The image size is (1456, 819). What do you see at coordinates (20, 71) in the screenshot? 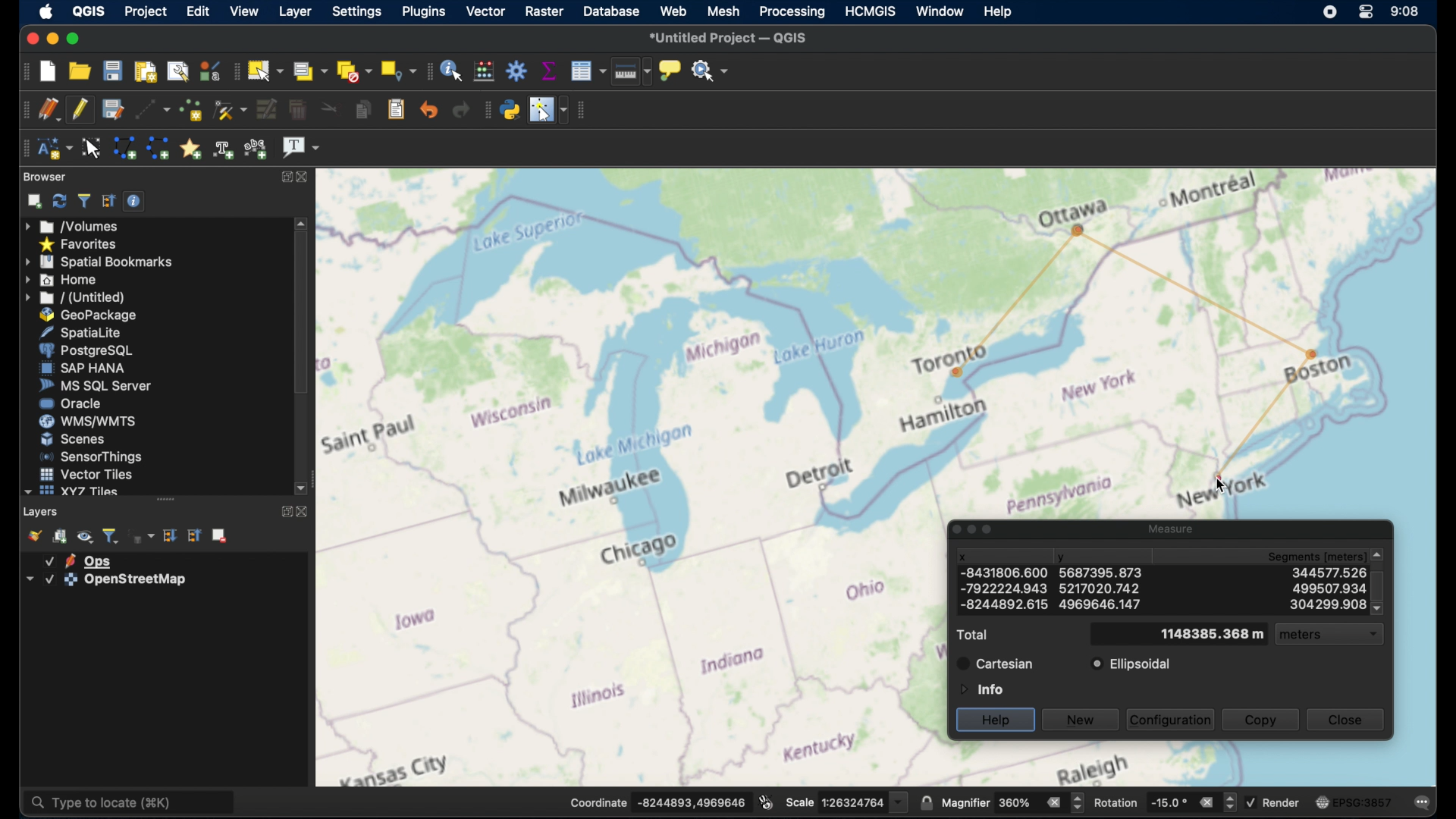
I see `project toolbar` at bounding box center [20, 71].